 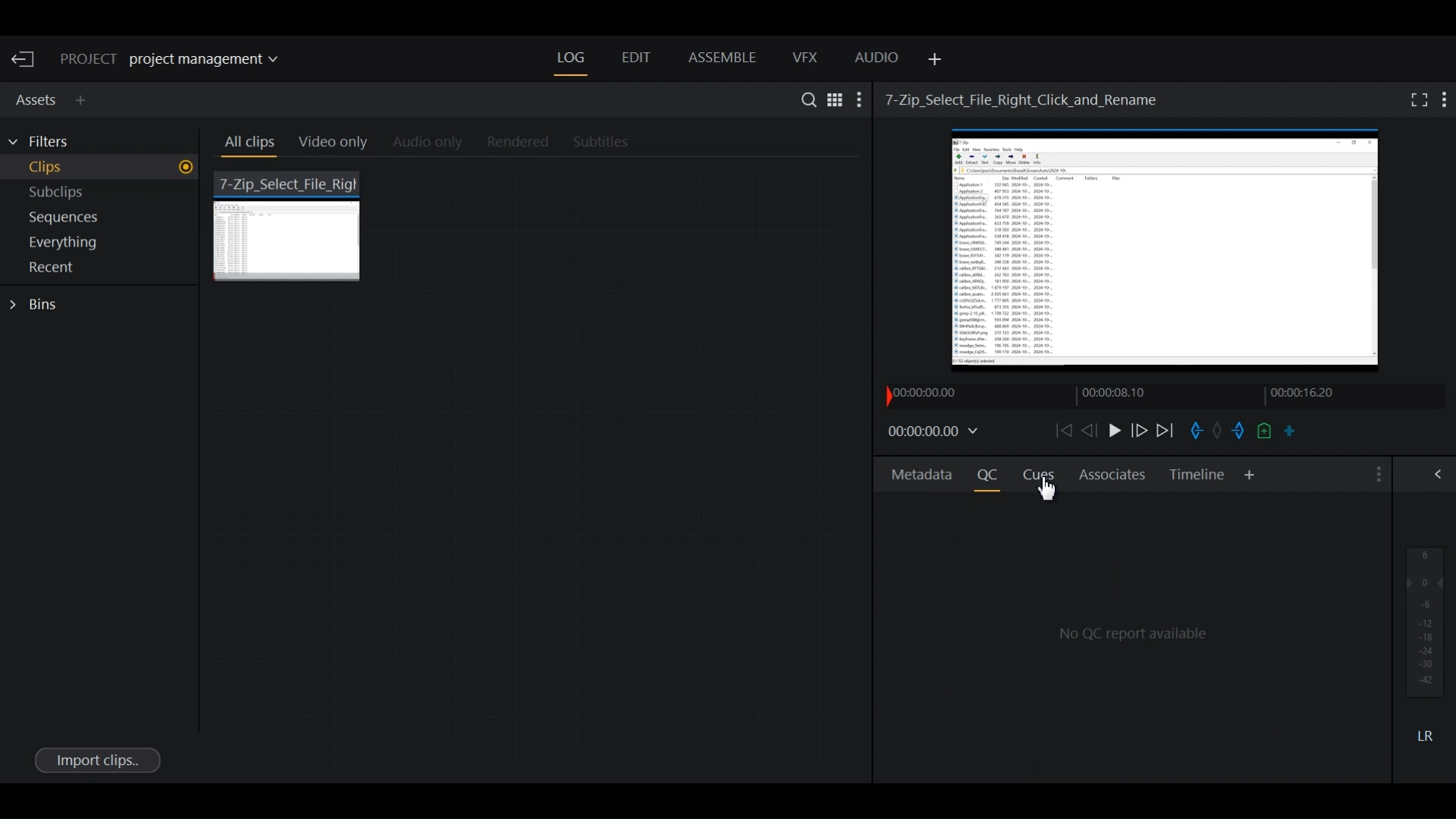 I want to click on Timeline, so click(x=1131, y=395).